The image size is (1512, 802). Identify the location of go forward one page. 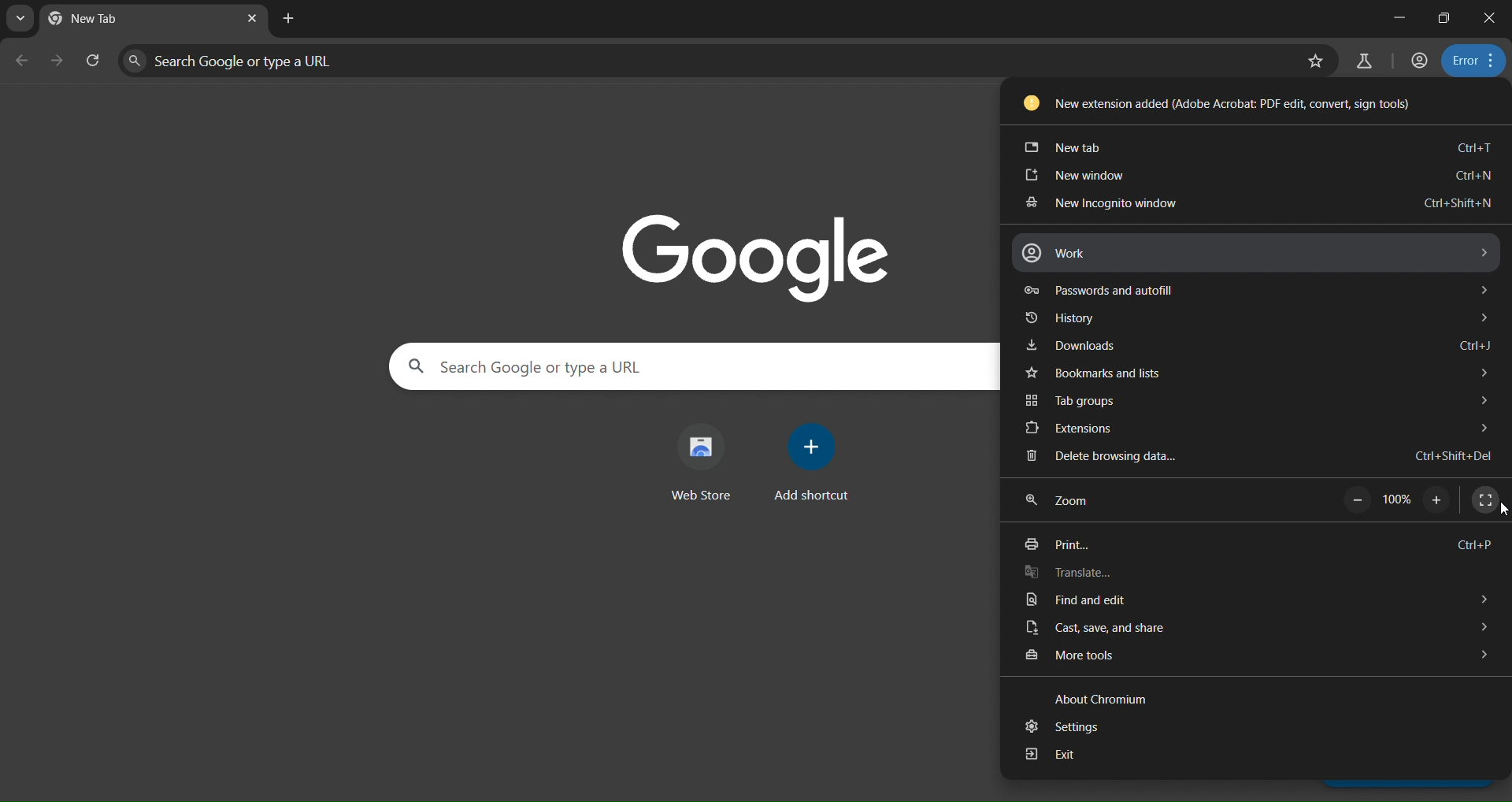
(54, 62).